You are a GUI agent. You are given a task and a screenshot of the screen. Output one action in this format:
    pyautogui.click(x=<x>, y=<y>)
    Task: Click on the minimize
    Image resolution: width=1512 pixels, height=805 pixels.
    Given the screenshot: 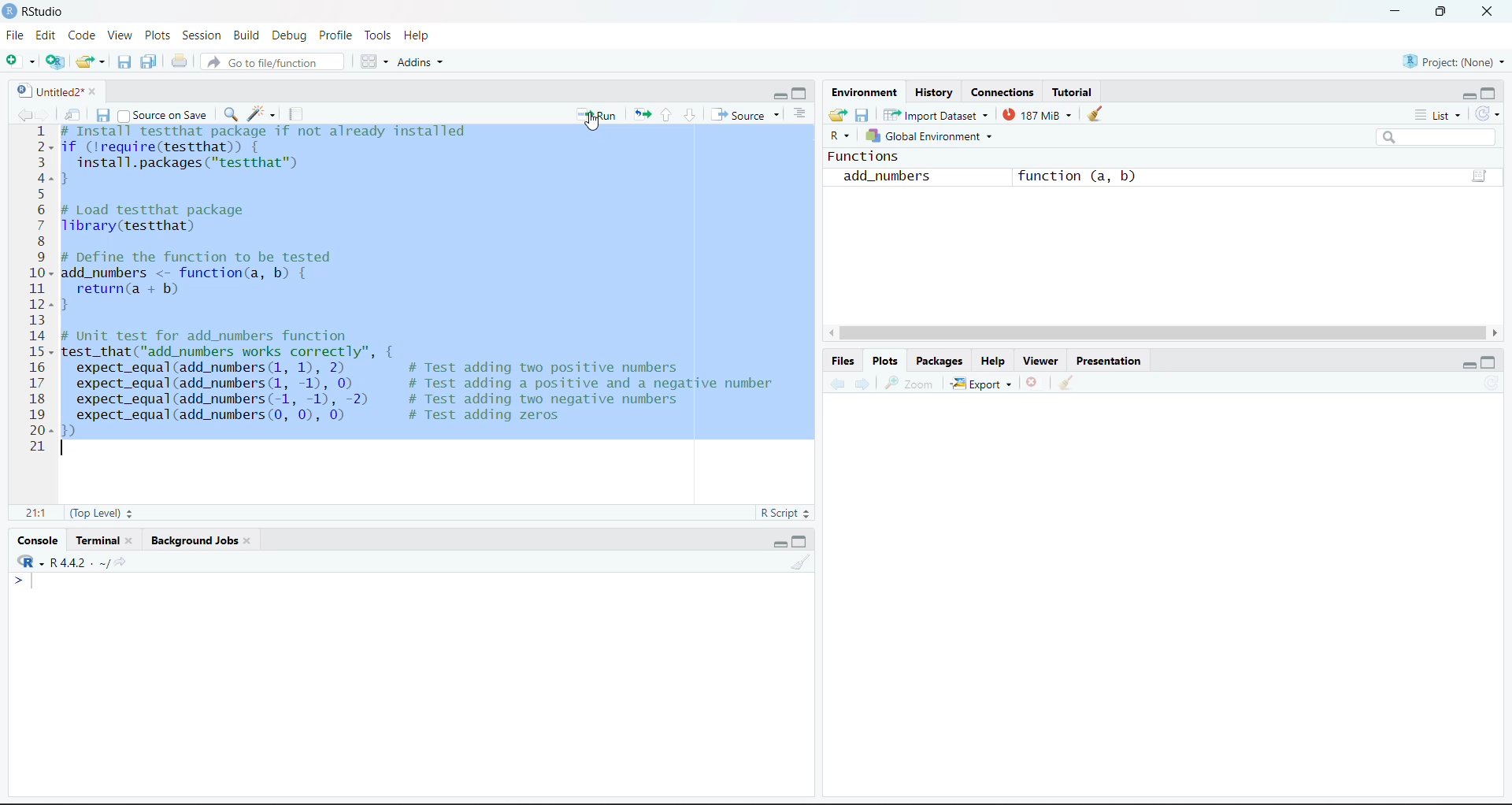 What is the action you would take?
    pyautogui.click(x=780, y=542)
    